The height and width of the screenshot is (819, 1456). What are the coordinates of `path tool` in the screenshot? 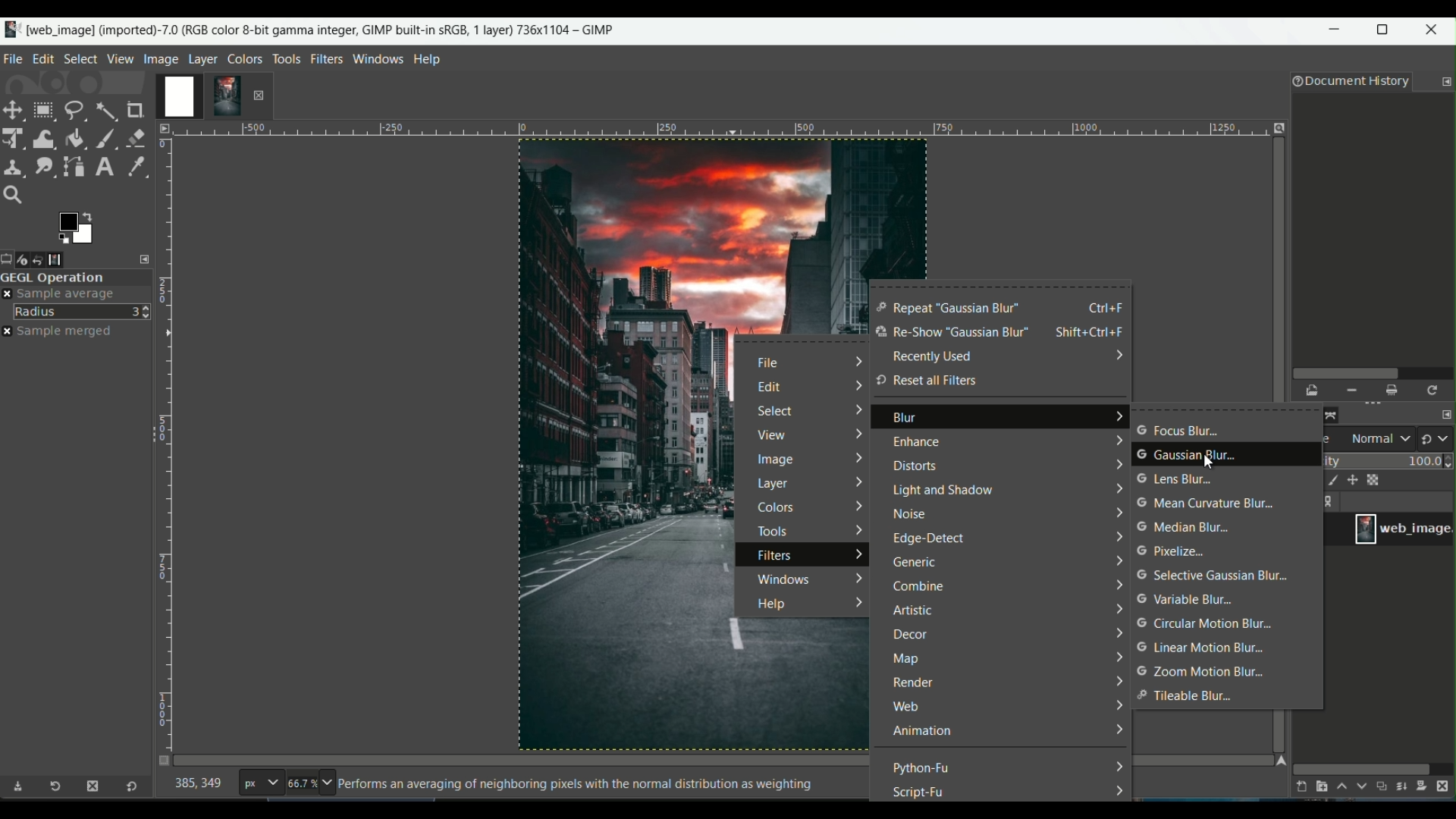 It's located at (75, 165).